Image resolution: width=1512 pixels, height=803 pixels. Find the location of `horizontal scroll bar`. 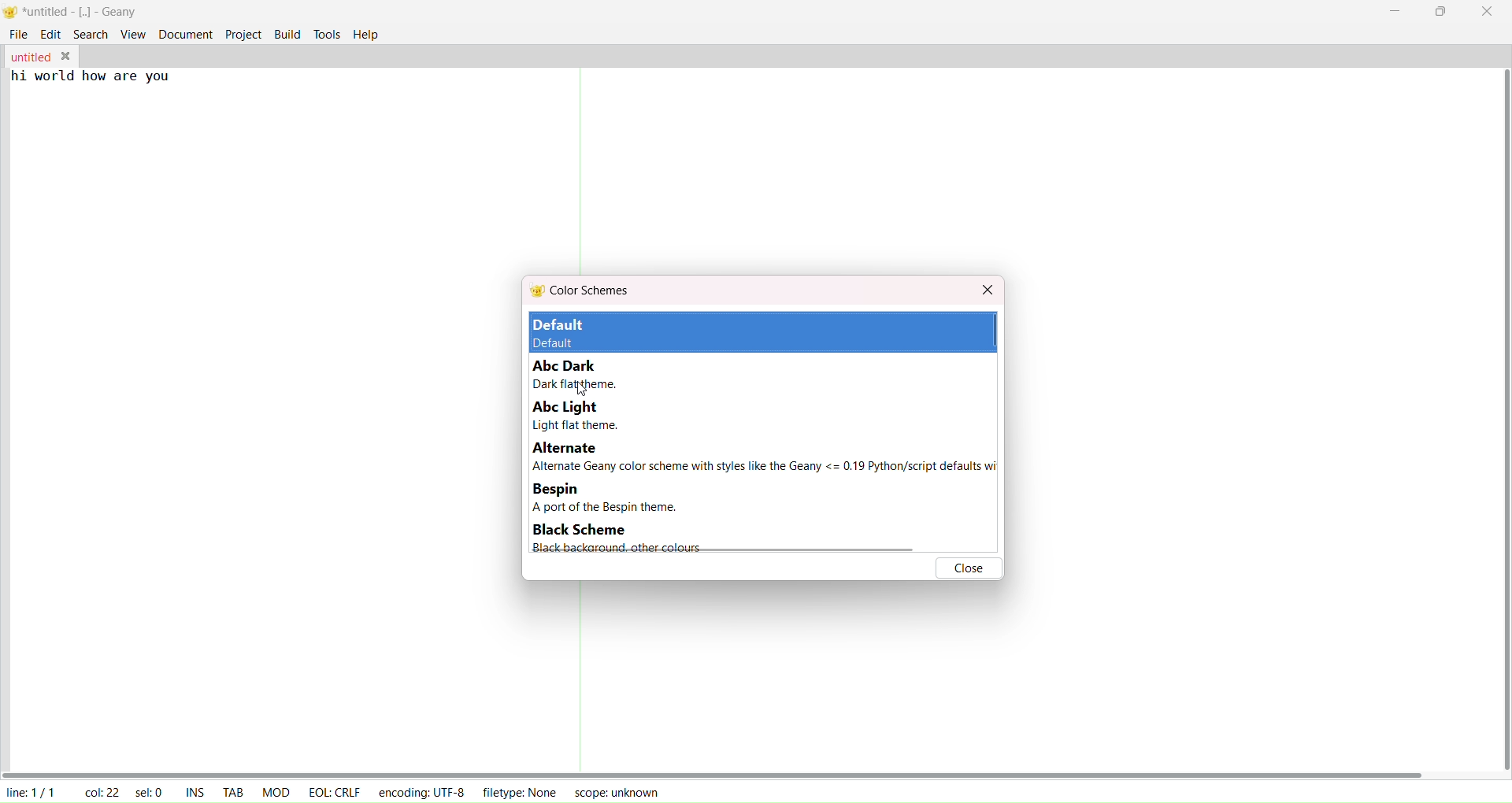

horizontal scroll bar is located at coordinates (713, 772).